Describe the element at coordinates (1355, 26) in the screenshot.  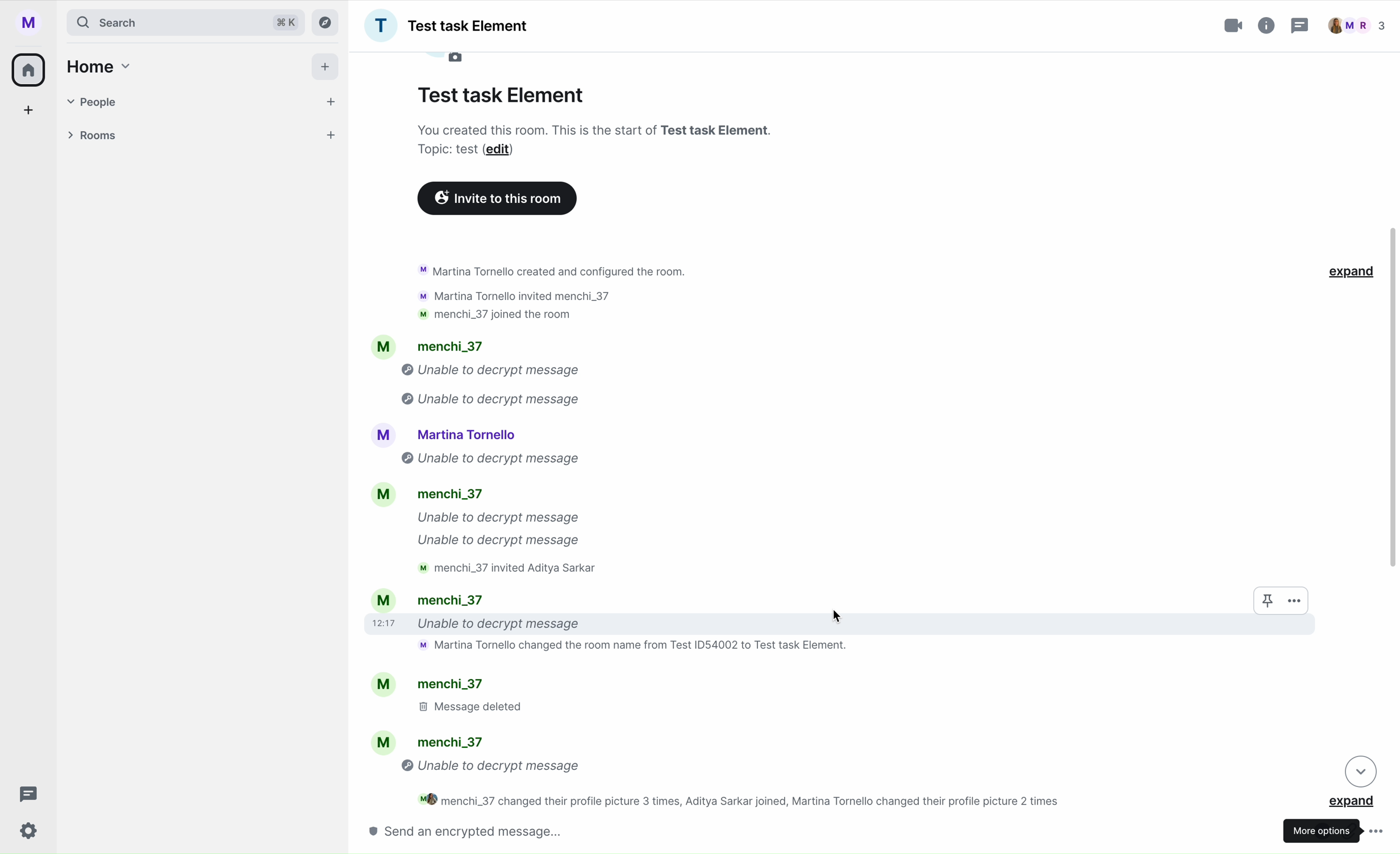
I see `people` at that location.